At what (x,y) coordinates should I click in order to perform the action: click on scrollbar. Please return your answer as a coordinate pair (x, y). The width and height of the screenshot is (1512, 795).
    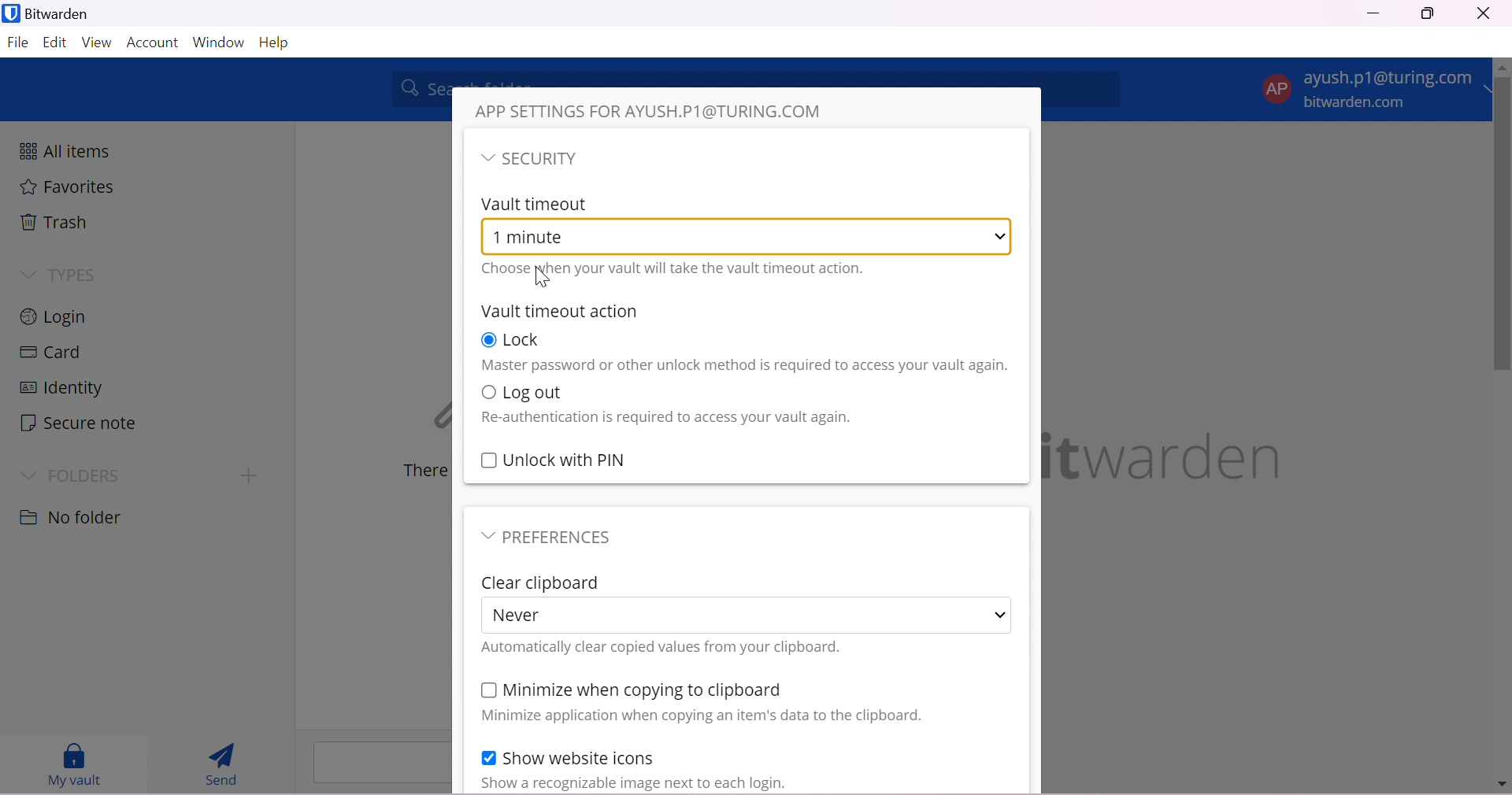
    Looking at the image, I should click on (1503, 227).